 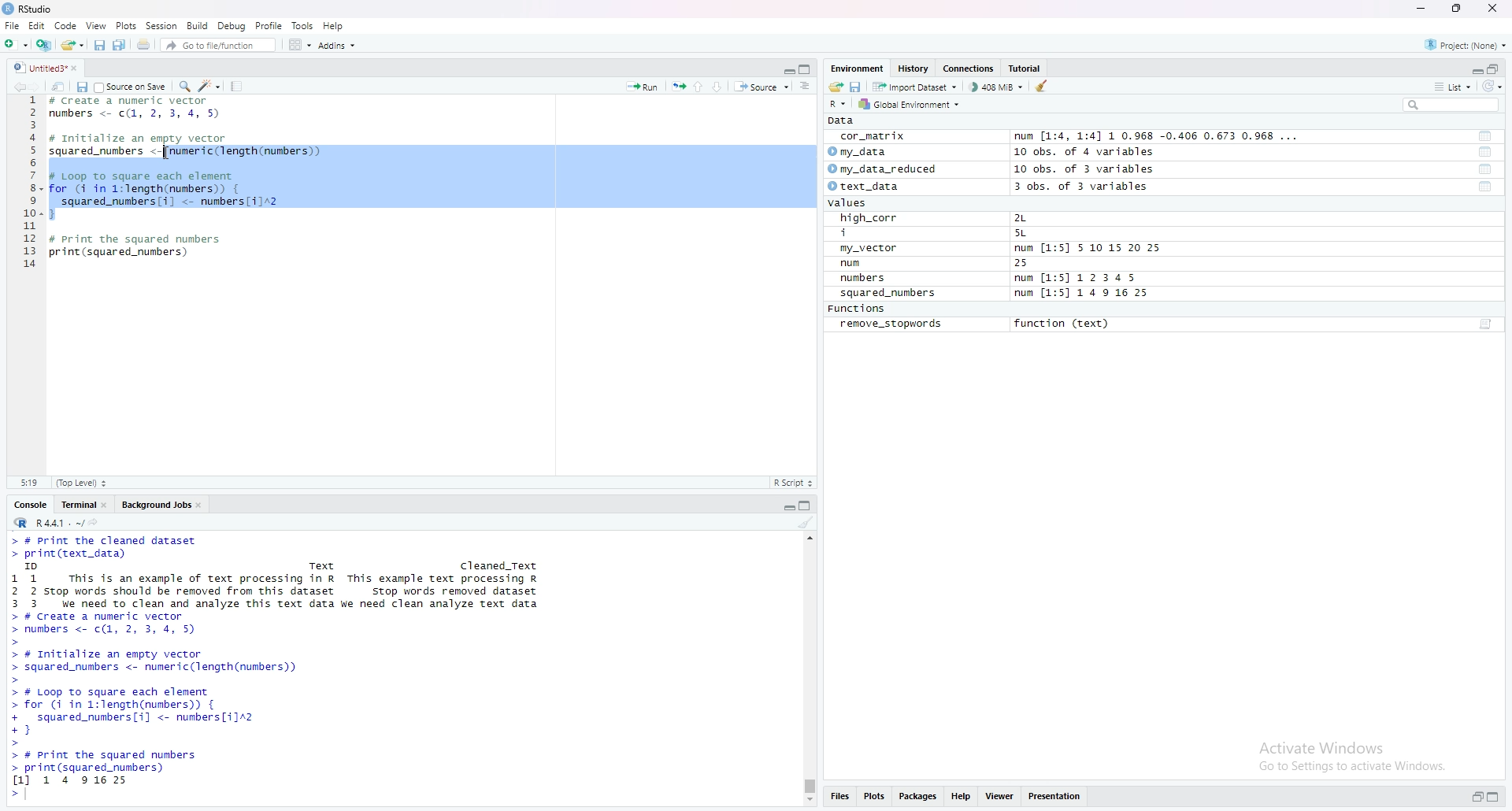 I want to click on Viewer, so click(x=1000, y=798).